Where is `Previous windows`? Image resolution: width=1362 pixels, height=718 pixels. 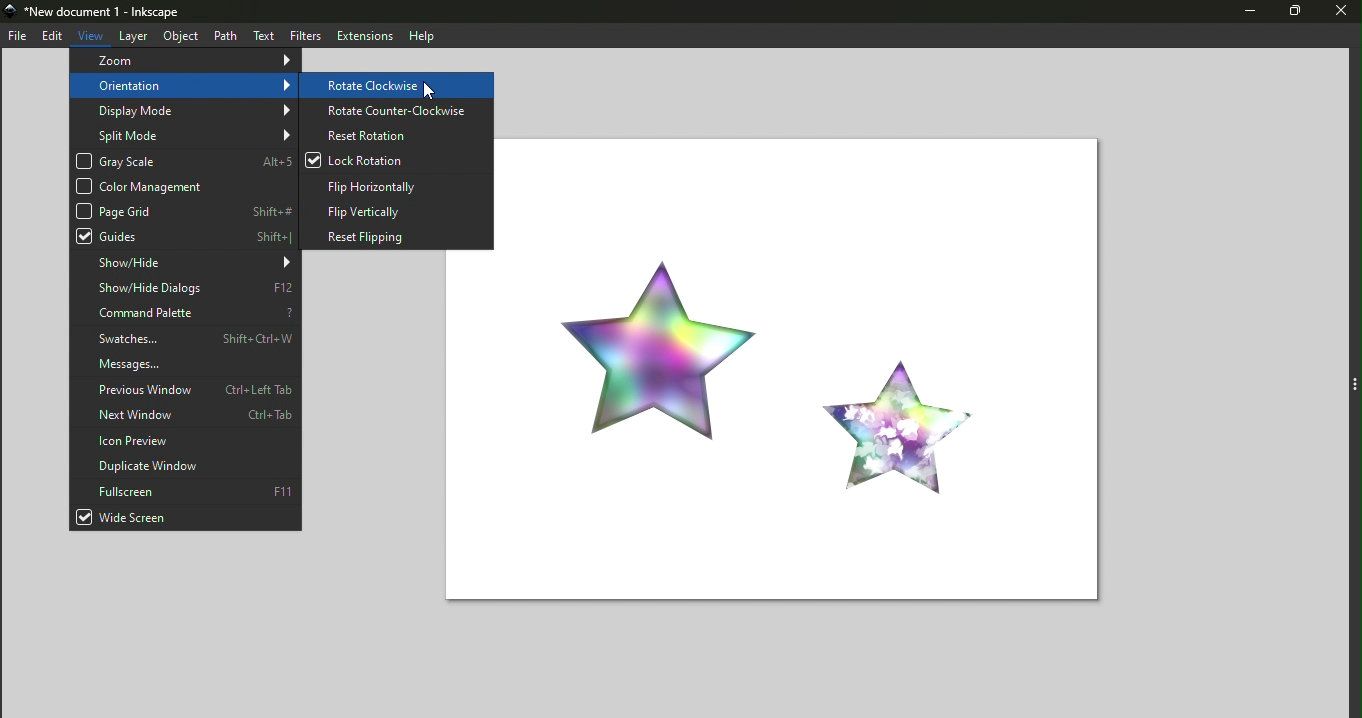
Previous windows is located at coordinates (184, 391).